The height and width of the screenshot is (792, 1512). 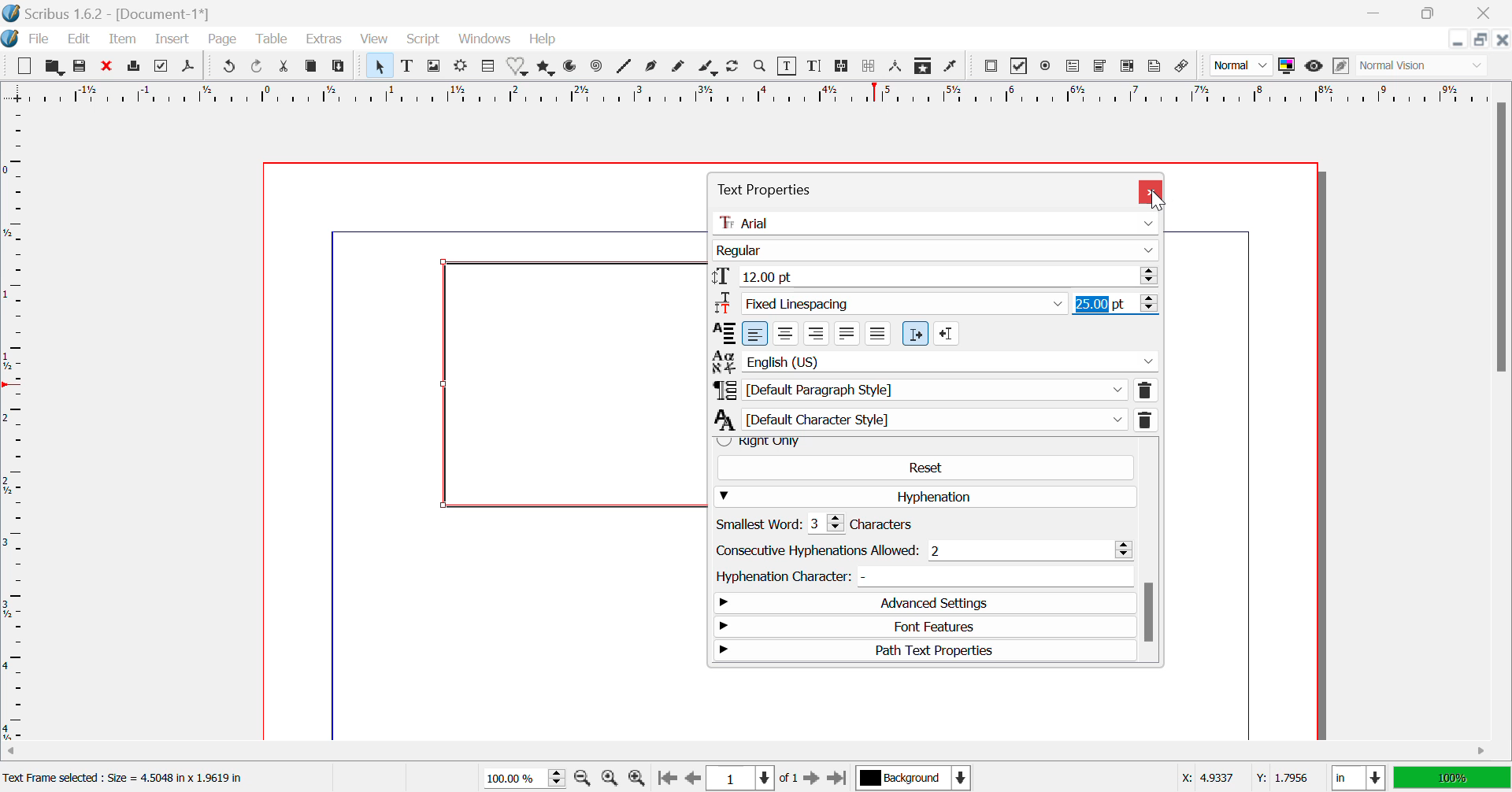 What do you see at coordinates (847, 334) in the screenshot?
I see `Text justified` at bounding box center [847, 334].